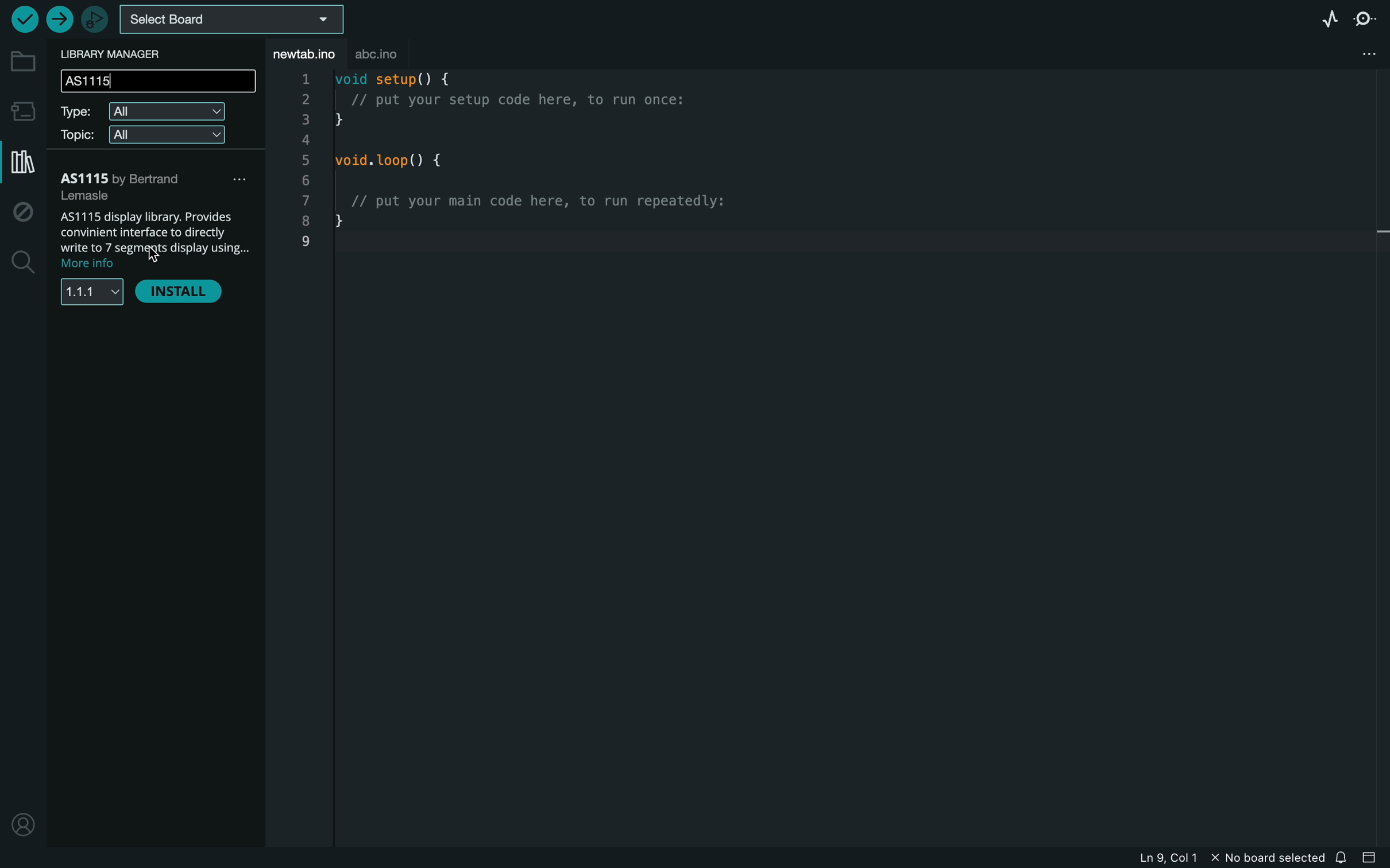  I want to click on type filter, so click(146, 111).